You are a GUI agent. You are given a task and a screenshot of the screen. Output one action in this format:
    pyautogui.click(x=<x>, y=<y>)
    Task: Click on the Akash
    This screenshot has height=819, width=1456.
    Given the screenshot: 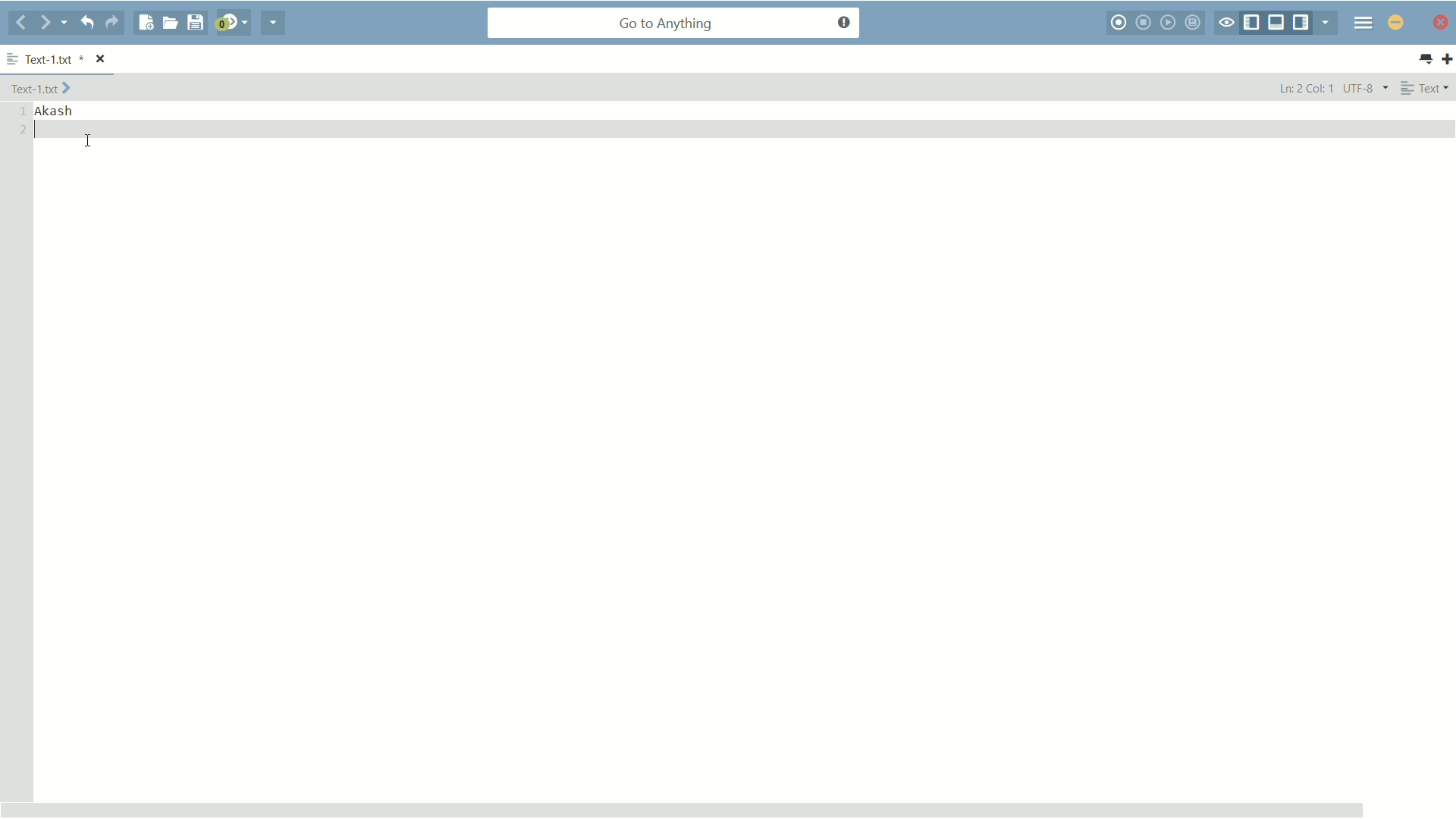 What is the action you would take?
    pyautogui.click(x=58, y=111)
    